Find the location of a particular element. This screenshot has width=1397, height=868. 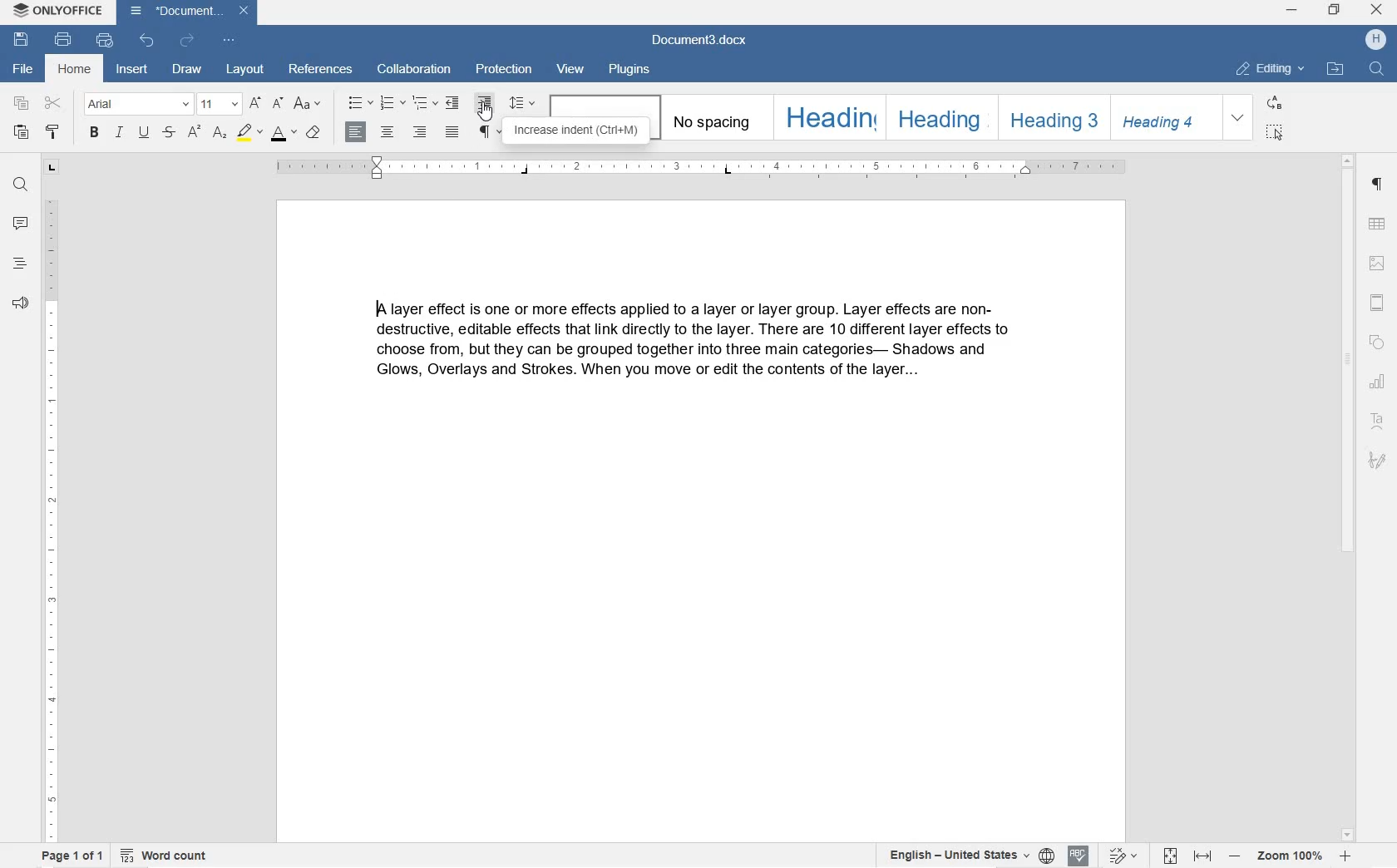

JUSTIFIED is located at coordinates (454, 133).